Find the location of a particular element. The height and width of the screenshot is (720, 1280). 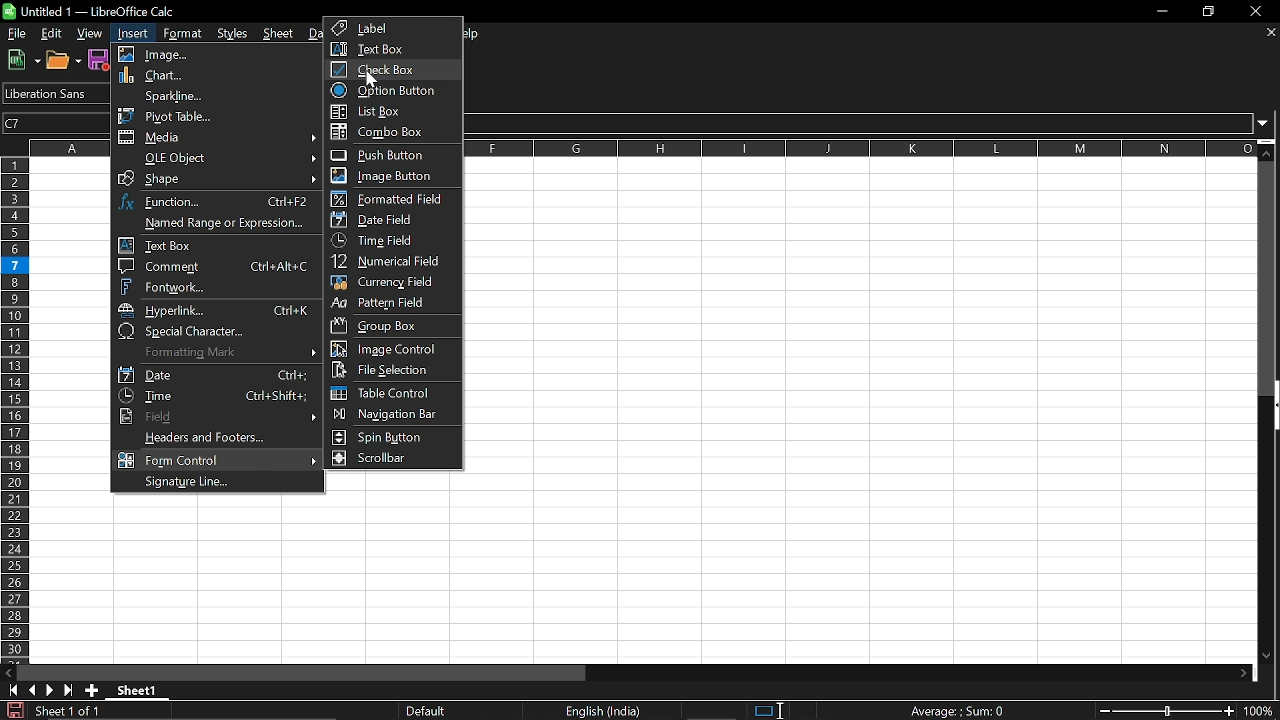

Selection  is located at coordinates (762, 711).